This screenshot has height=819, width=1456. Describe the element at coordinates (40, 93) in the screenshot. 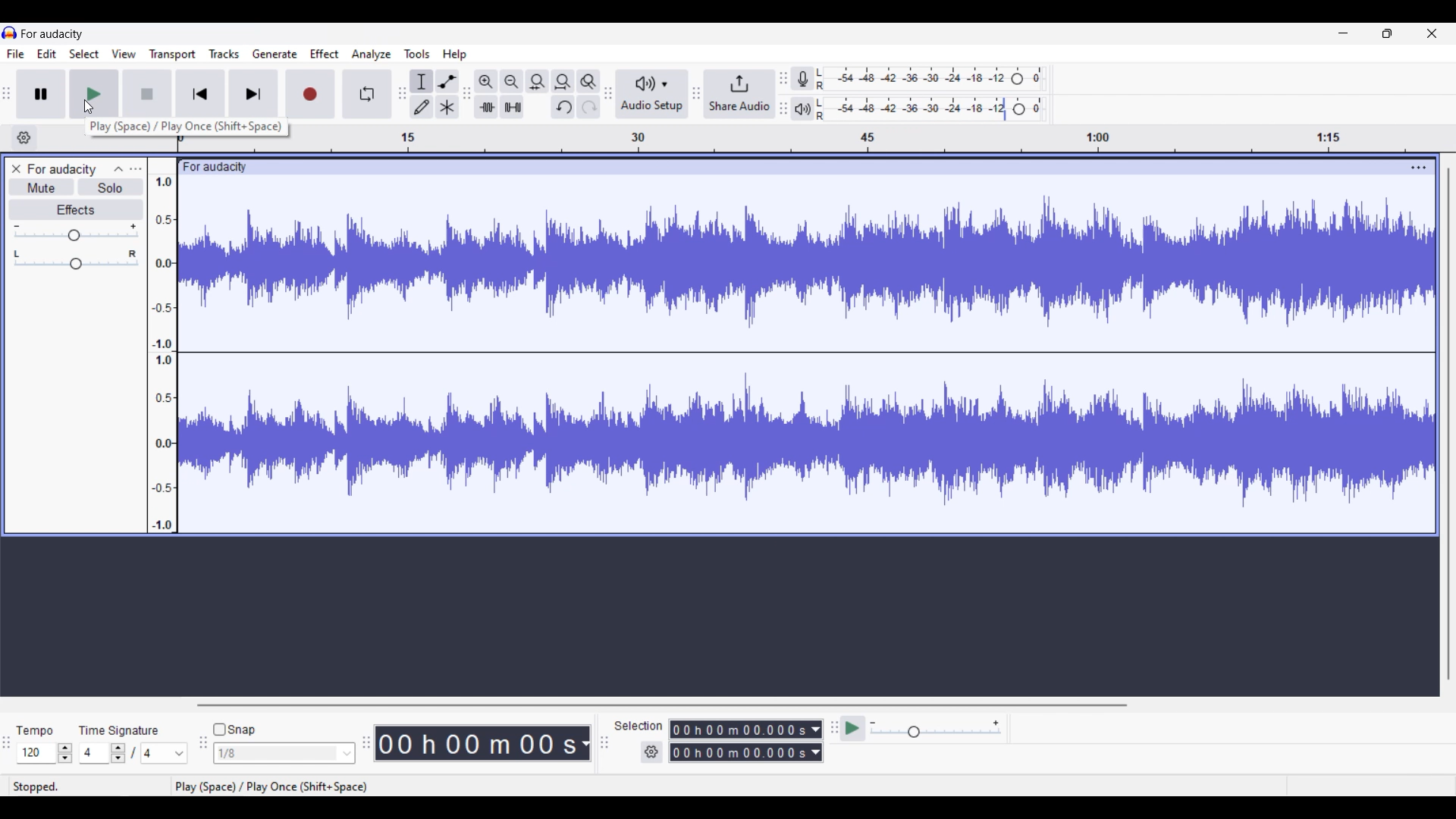

I see `Pause` at that location.